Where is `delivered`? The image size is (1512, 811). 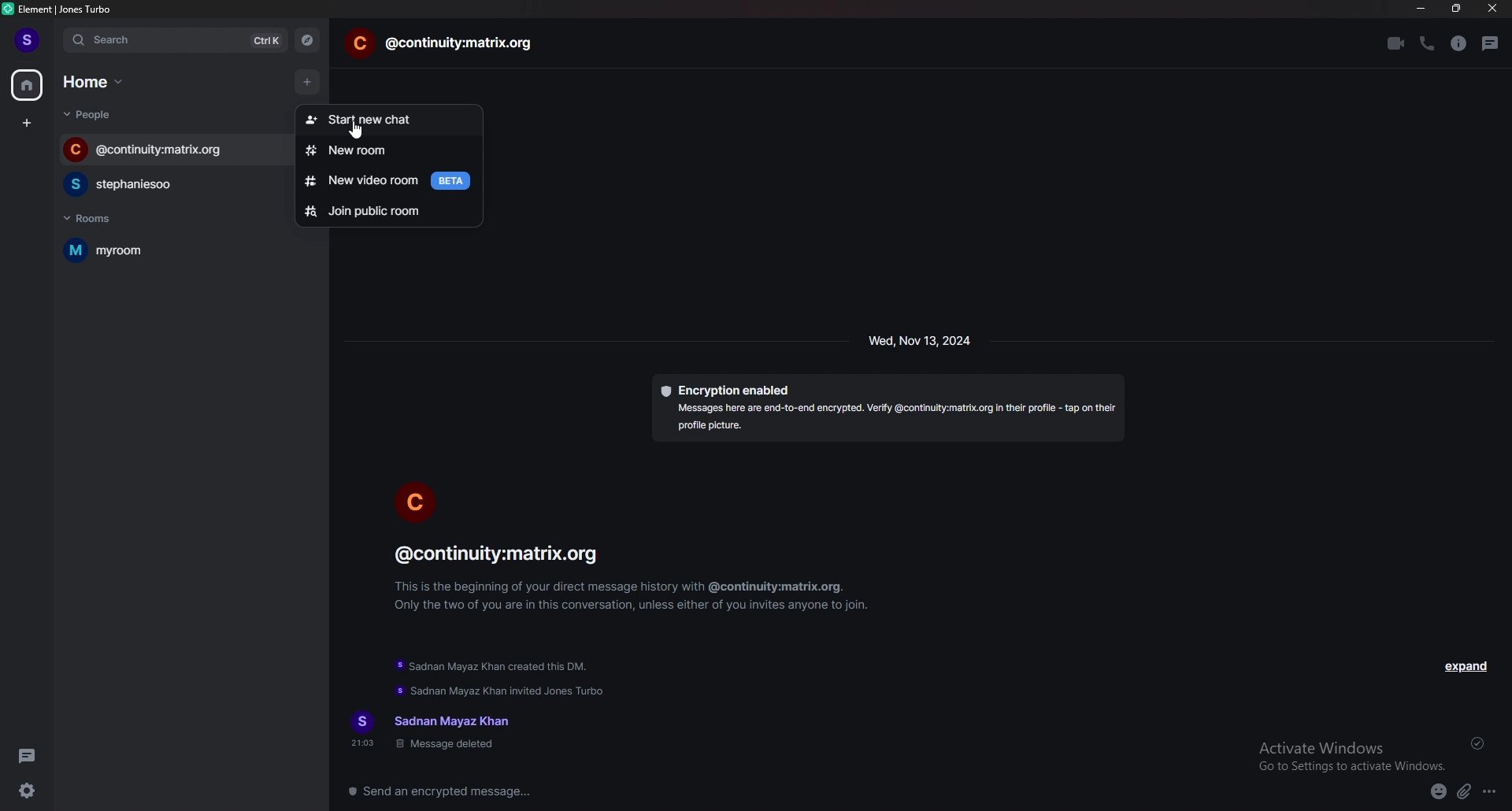 delivered is located at coordinates (1479, 743).